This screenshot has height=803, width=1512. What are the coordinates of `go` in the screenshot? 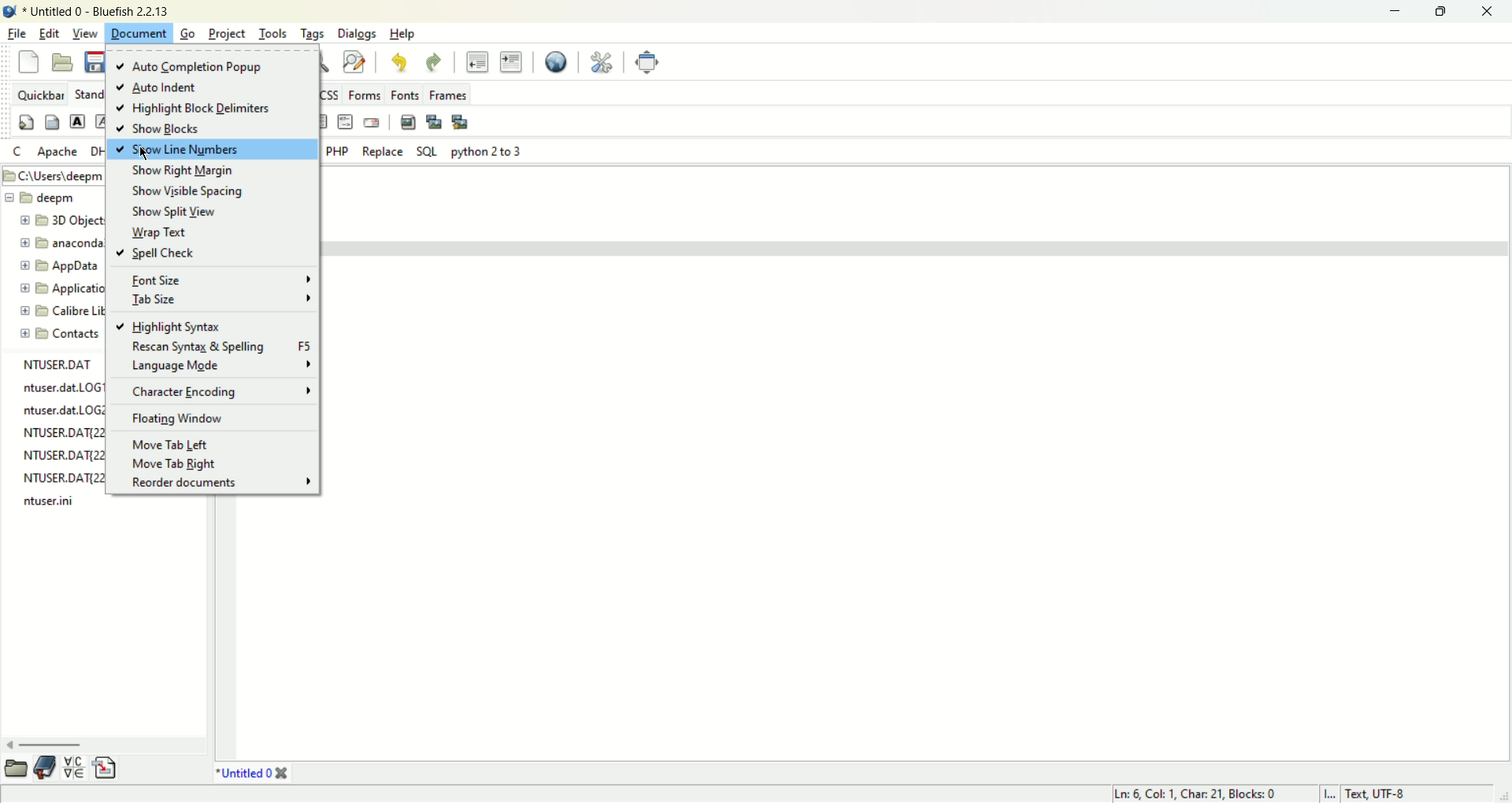 It's located at (189, 34).